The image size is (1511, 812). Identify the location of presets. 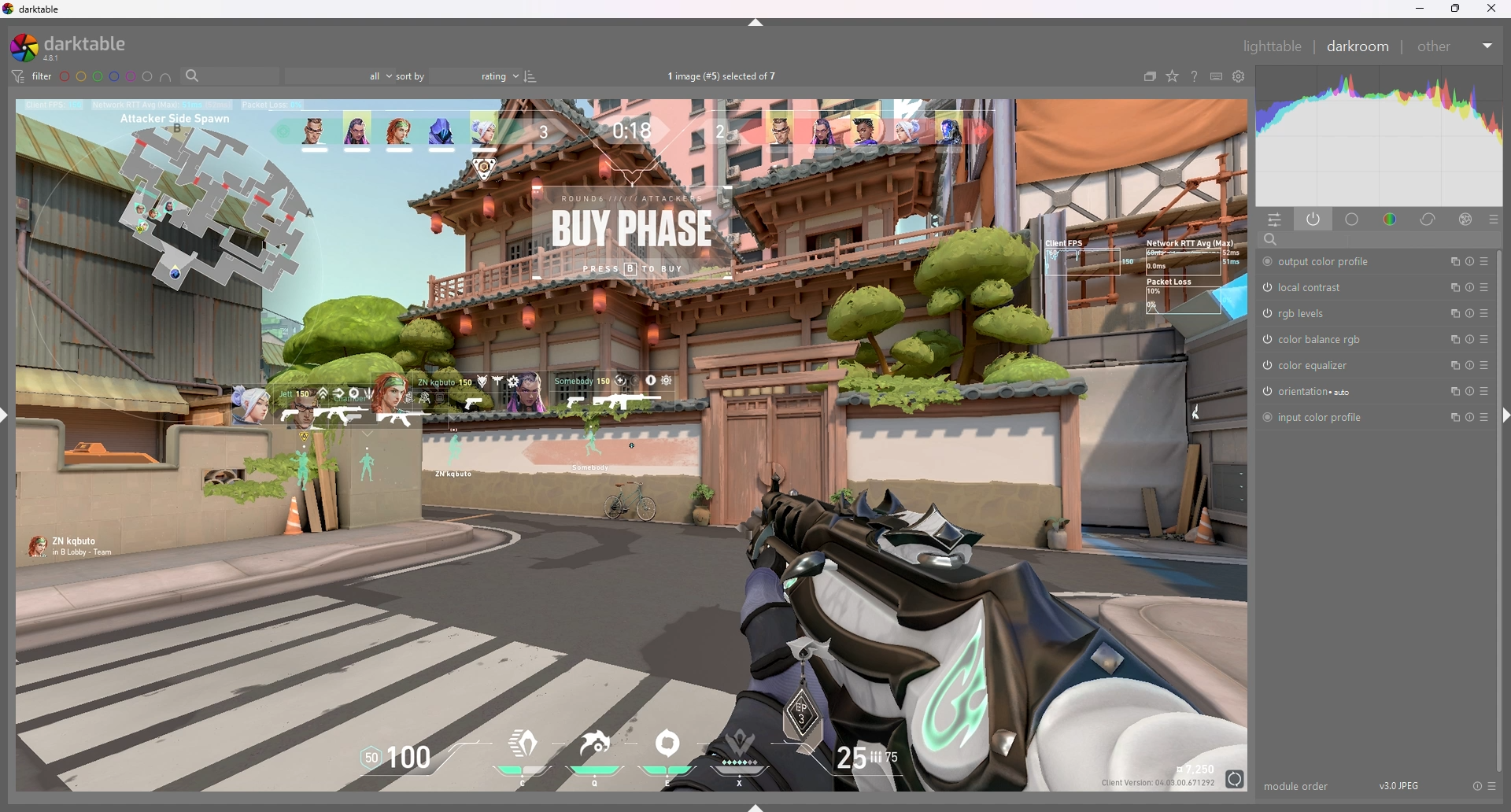
(1484, 417).